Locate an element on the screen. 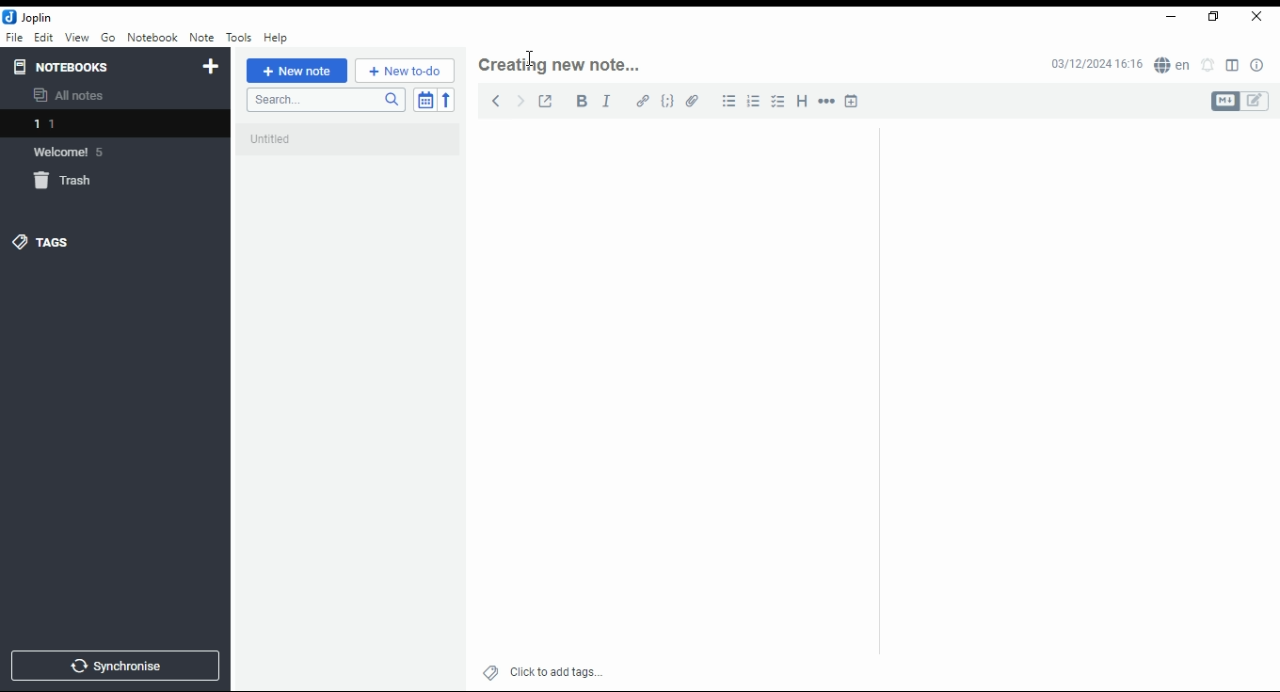  tags is located at coordinates (41, 241).